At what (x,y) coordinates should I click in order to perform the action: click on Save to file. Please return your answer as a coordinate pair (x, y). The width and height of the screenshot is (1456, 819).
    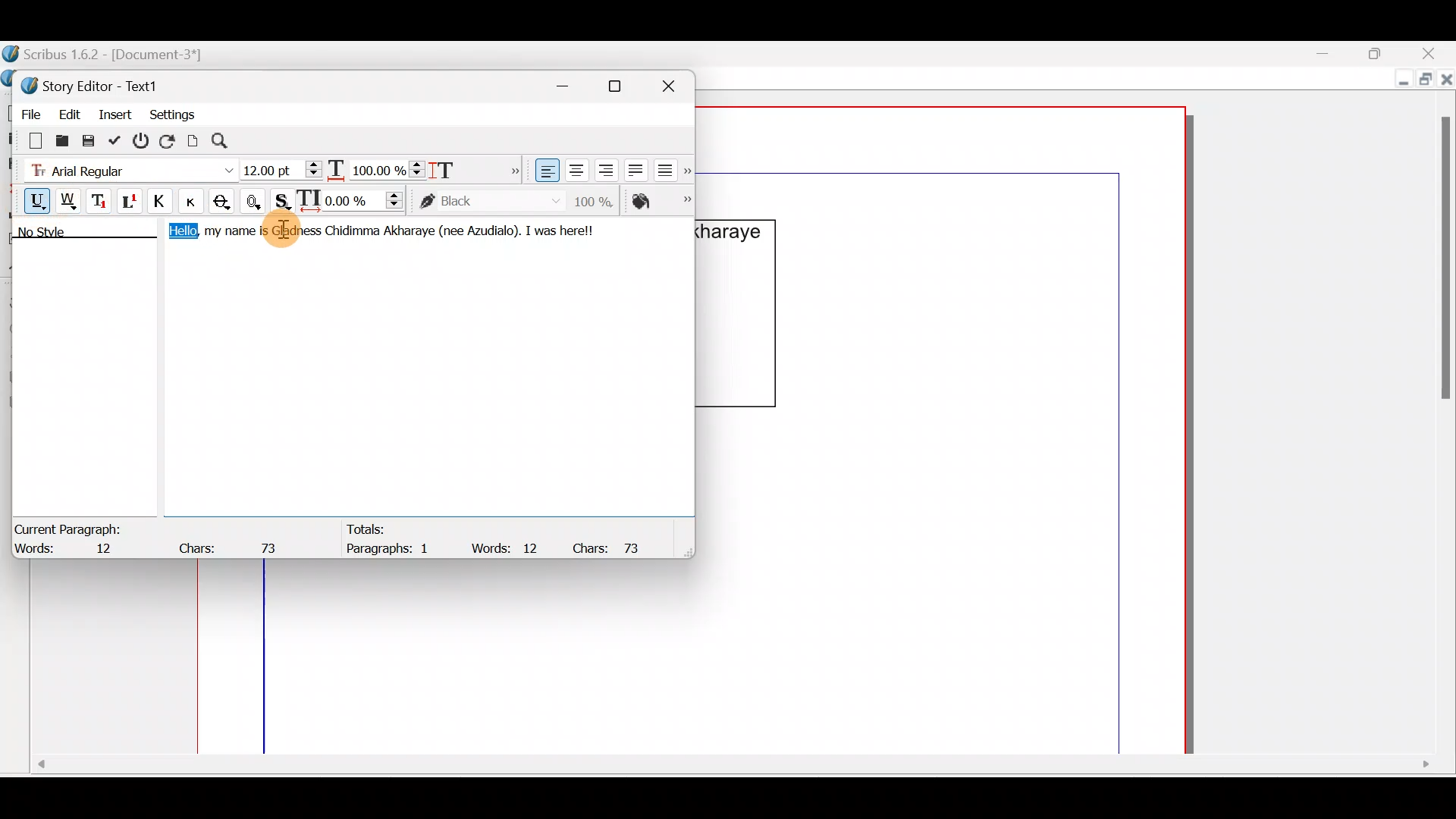
    Looking at the image, I should click on (89, 140).